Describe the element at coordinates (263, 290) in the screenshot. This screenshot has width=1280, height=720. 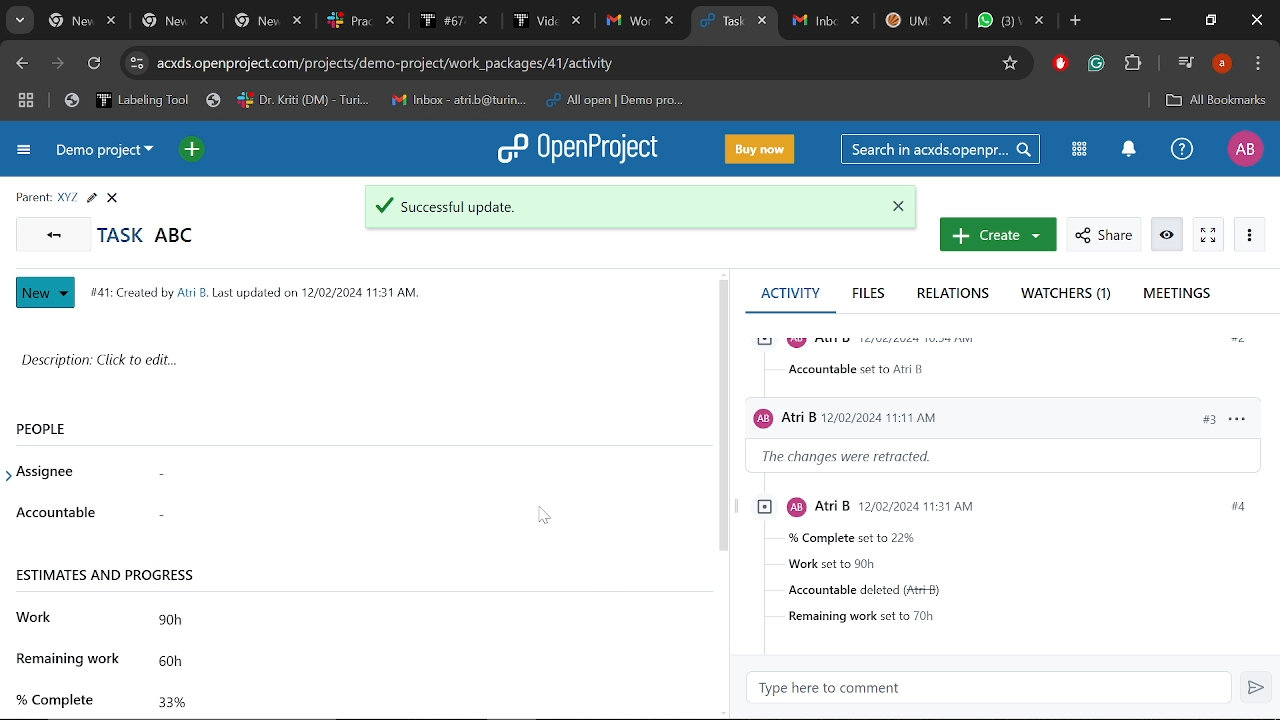
I see `task info` at that location.